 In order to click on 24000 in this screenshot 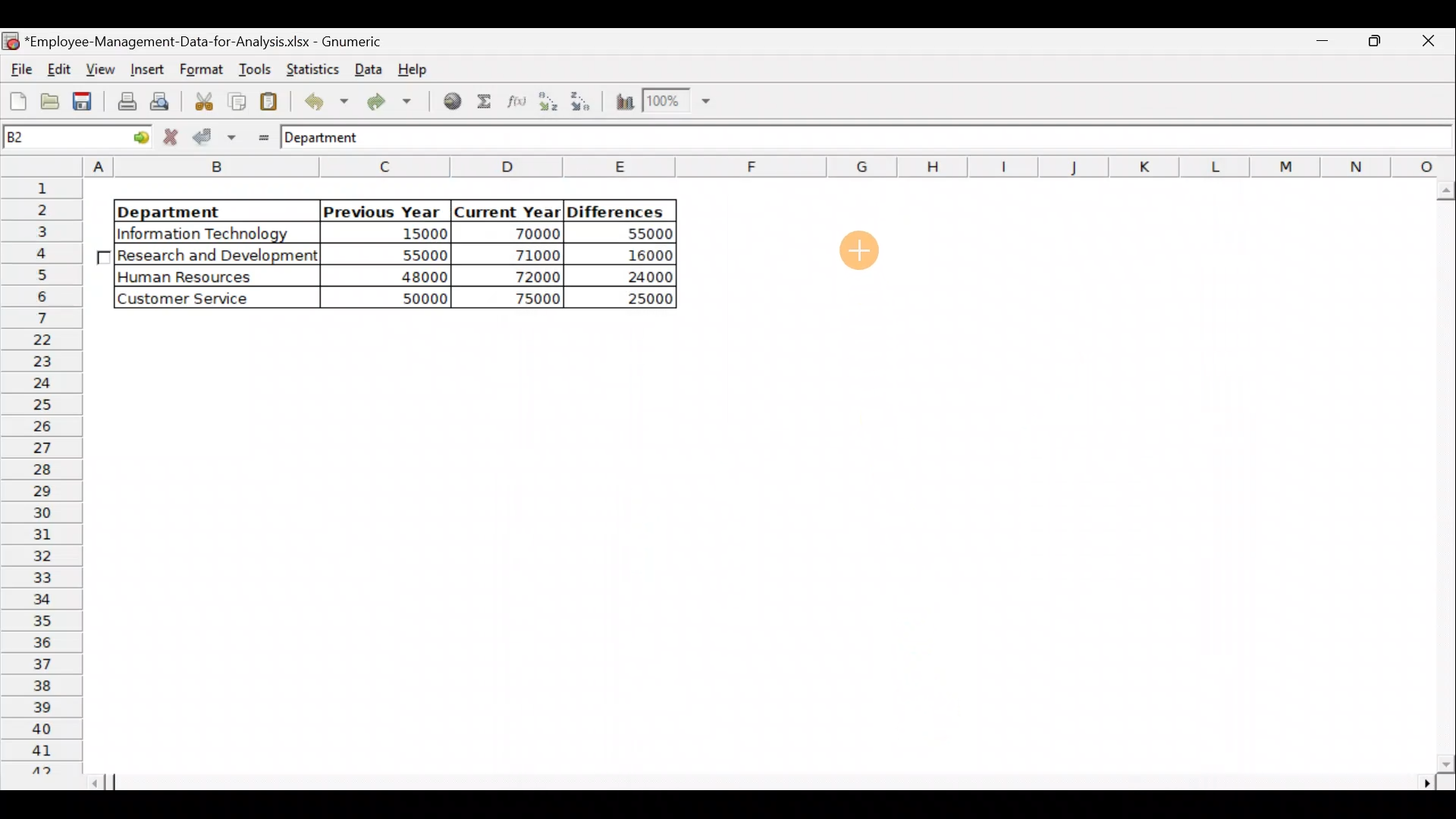, I will do `click(632, 277)`.